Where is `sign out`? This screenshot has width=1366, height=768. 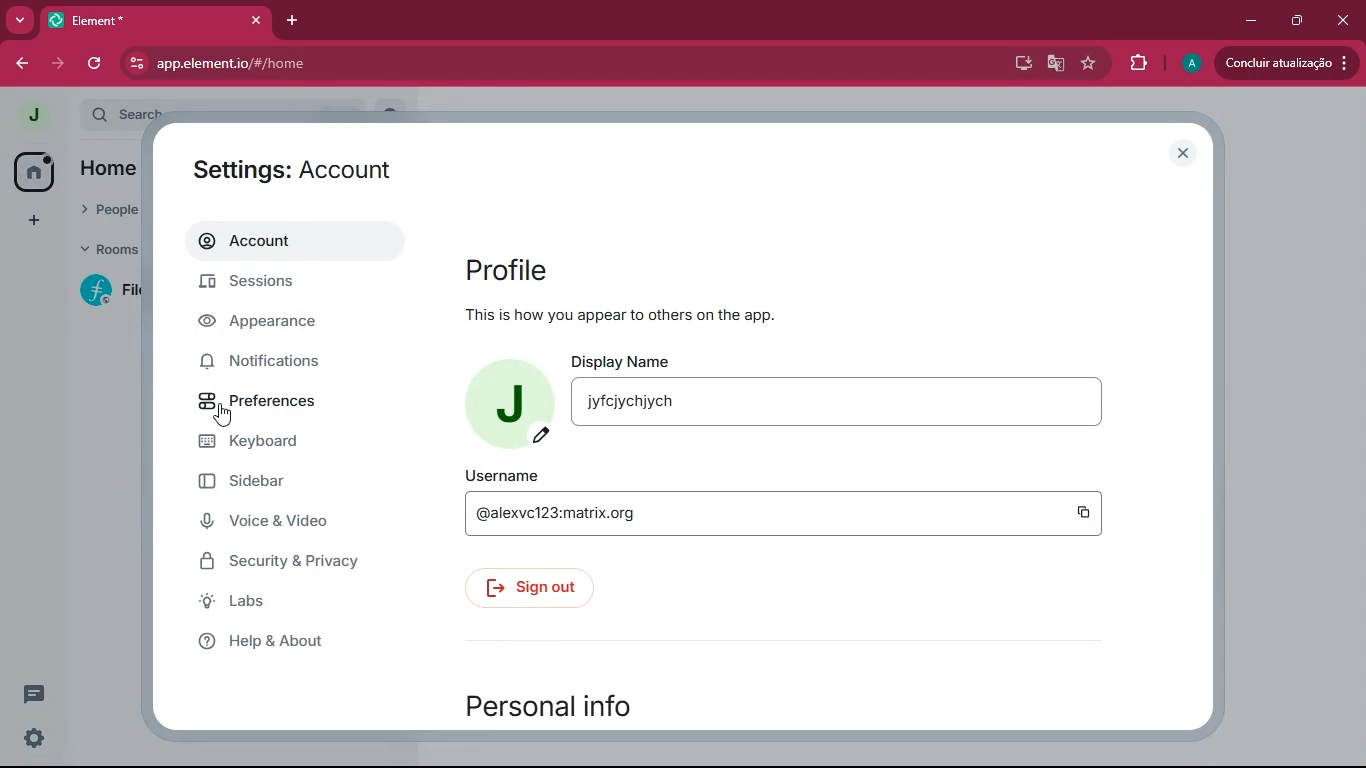
sign out is located at coordinates (534, 589).